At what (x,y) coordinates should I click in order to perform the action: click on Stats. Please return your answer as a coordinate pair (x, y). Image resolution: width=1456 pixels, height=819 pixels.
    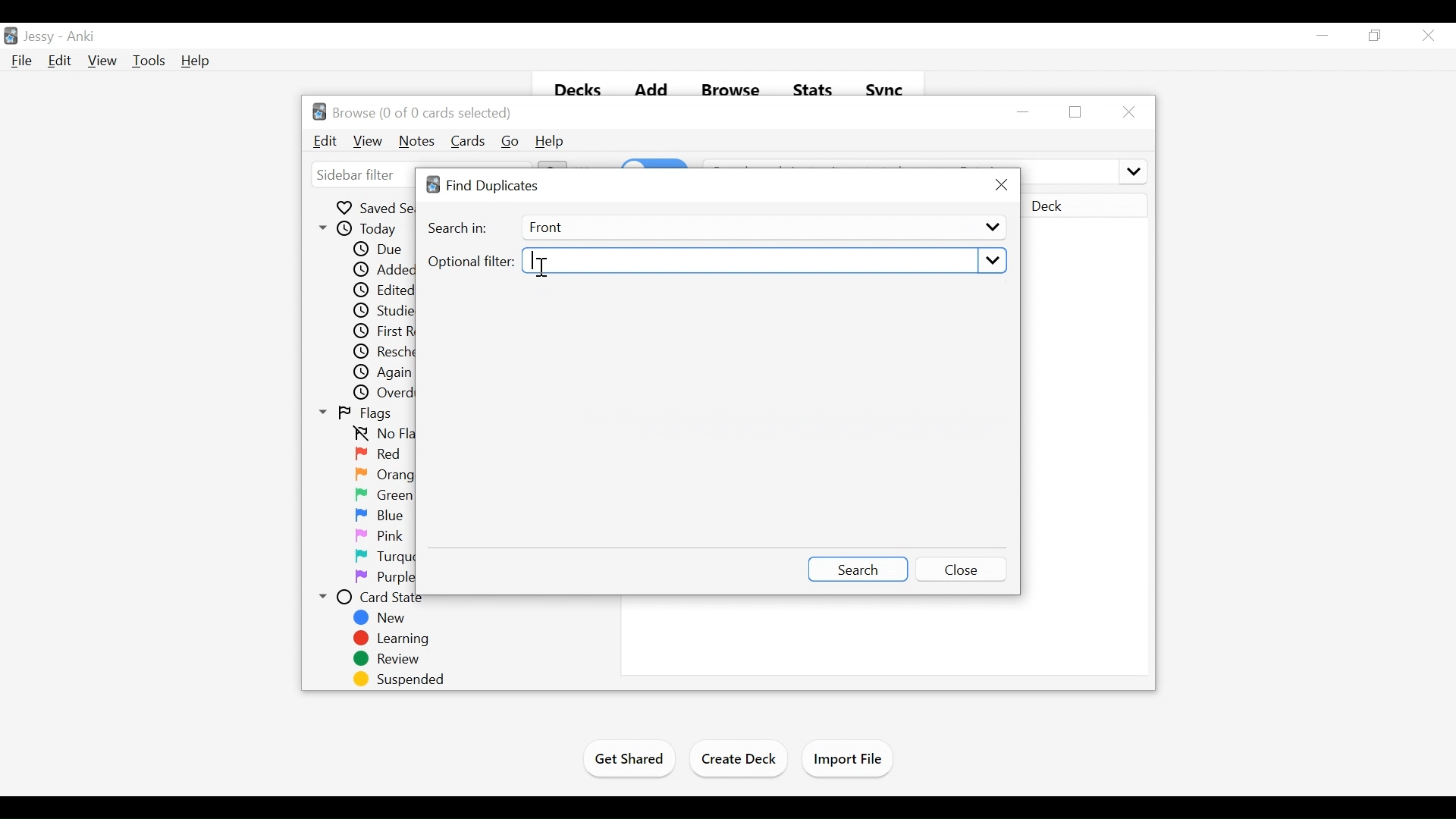
    Looking at the image, I should click on (811, 86).